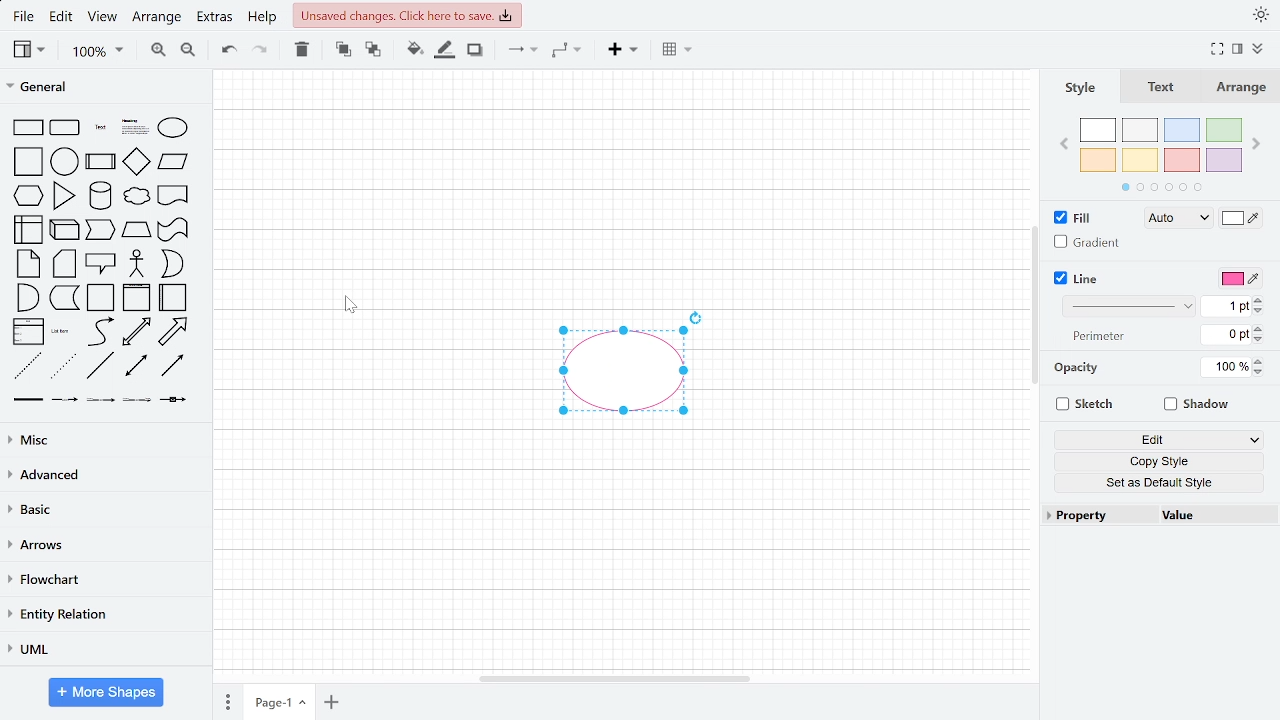 The height and width of the screenshot is (720, 1280). I want to click on opacity, so click(1078, 367).